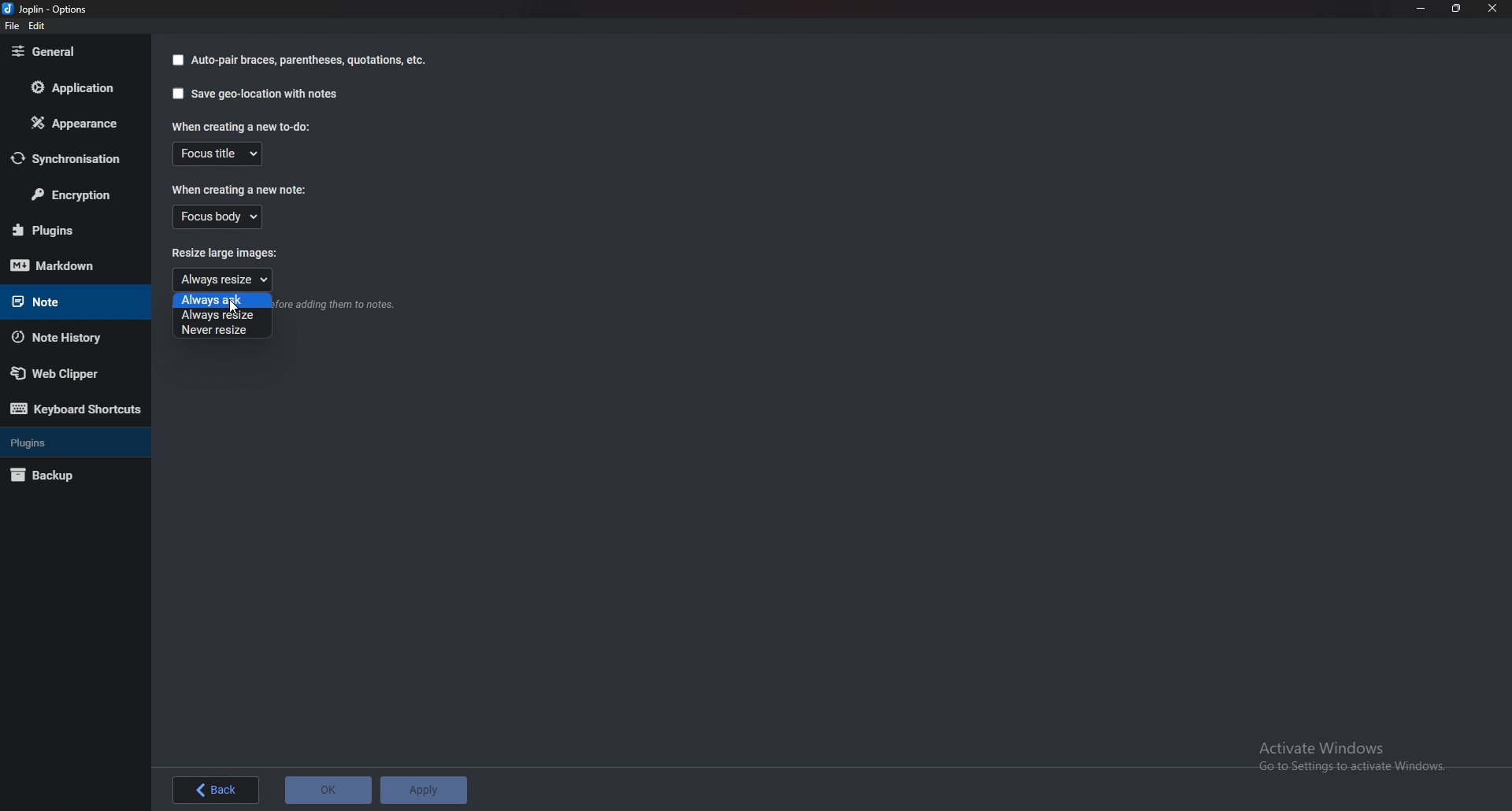  What do you see at coordinates (12, 27) in the screenshot?
I see `file` at bounding box center [12, 27].